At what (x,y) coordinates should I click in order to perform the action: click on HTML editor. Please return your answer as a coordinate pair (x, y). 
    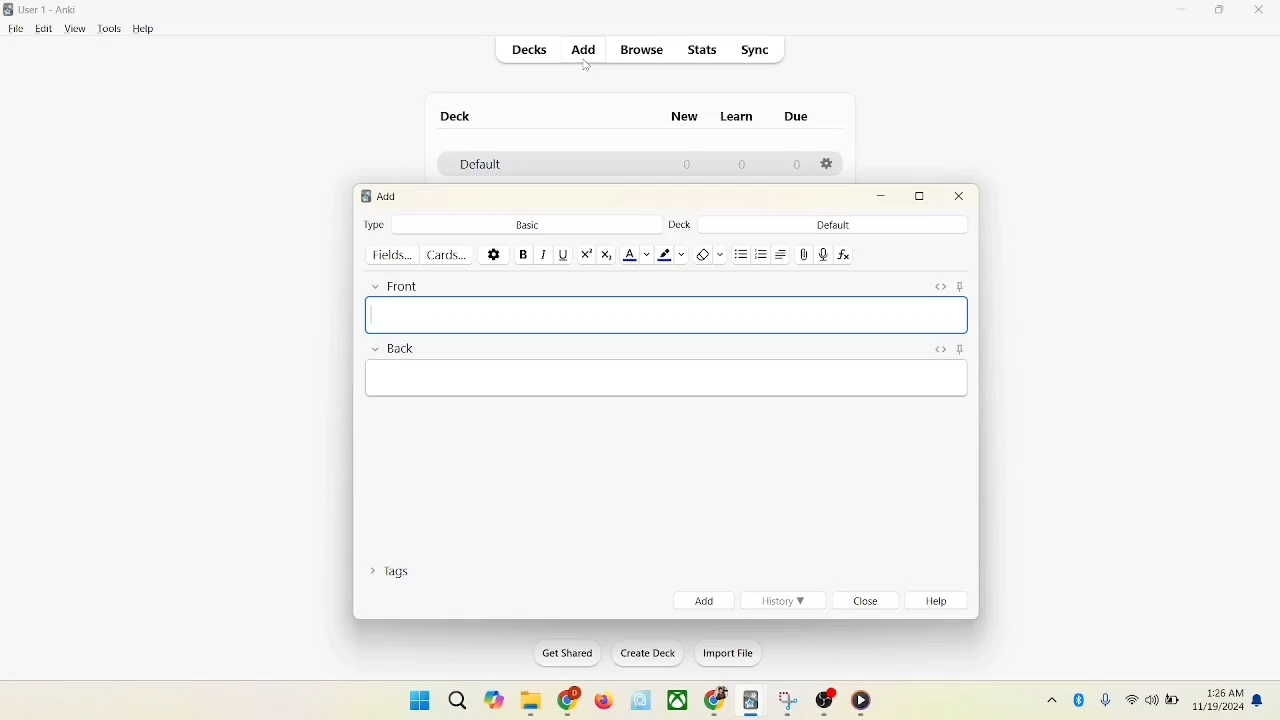
    Looking at the image, I should click on (940, 286).